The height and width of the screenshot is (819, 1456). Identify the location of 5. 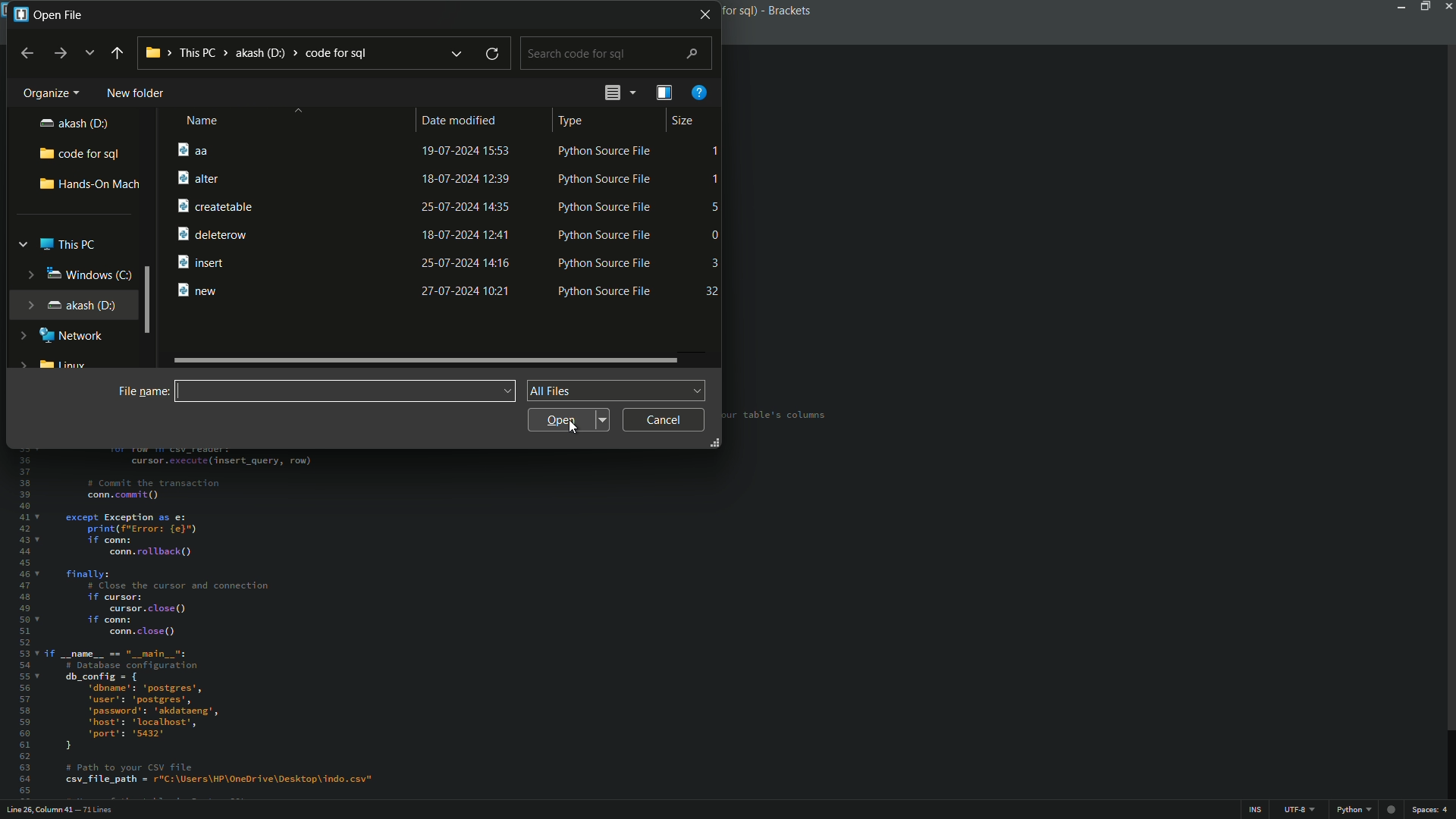
(714, 207).